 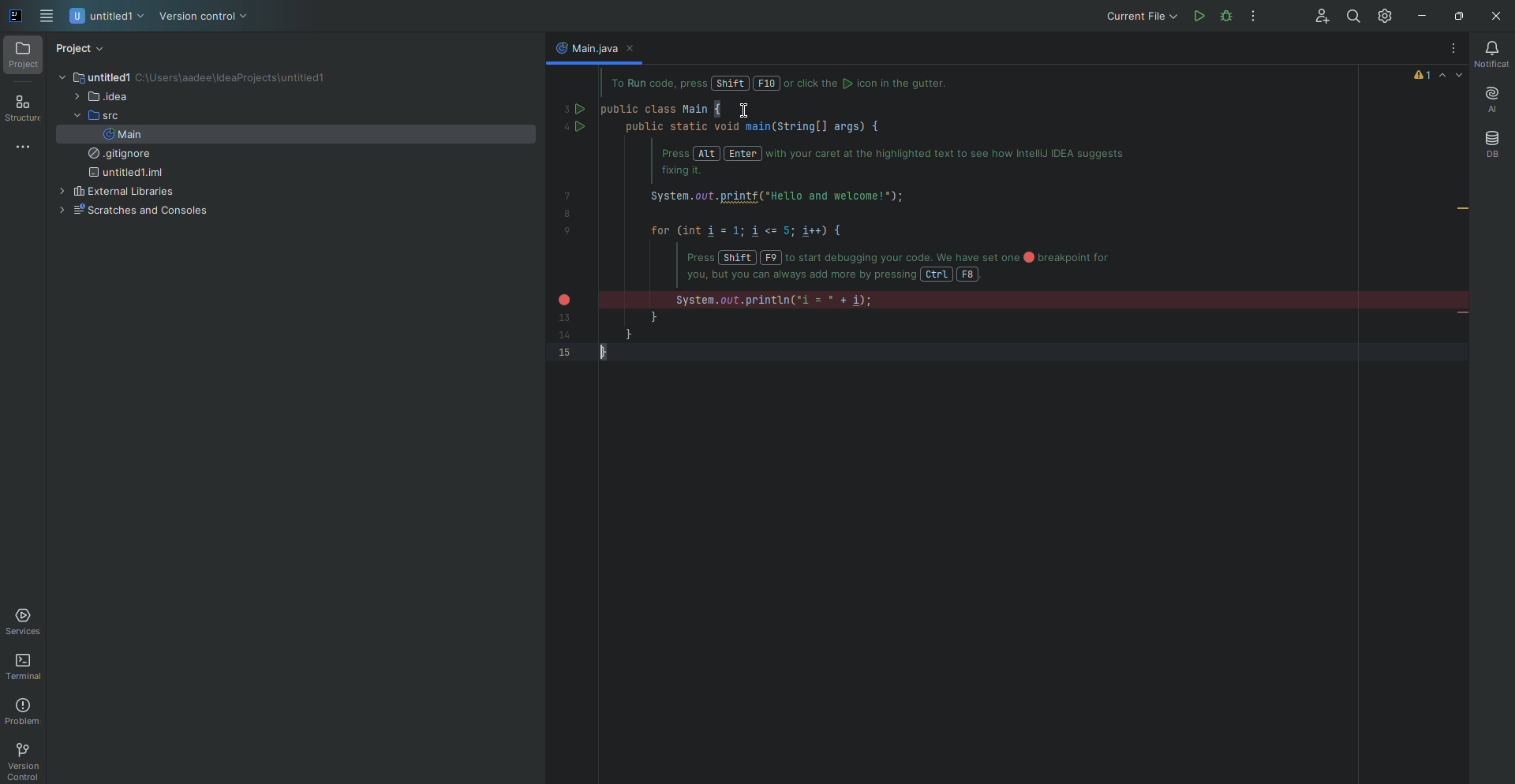 What do you see at coordinates (26, 146) in the screenshot?
I see `More Tools` at bounding box center [26, 146].